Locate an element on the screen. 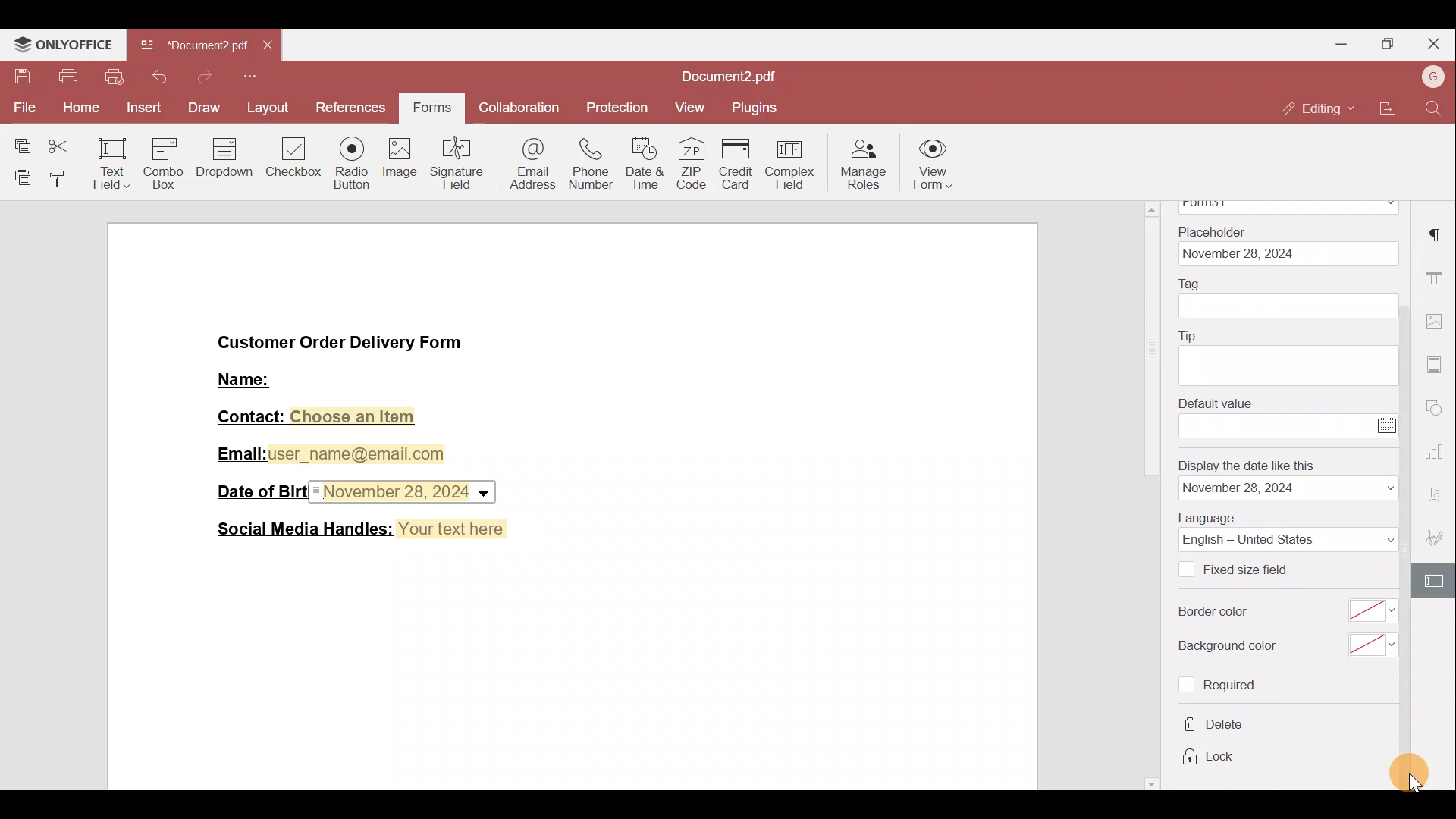 The height and width of the screenshot is (819, 1456). Layout is located at coordinates (269, 111).